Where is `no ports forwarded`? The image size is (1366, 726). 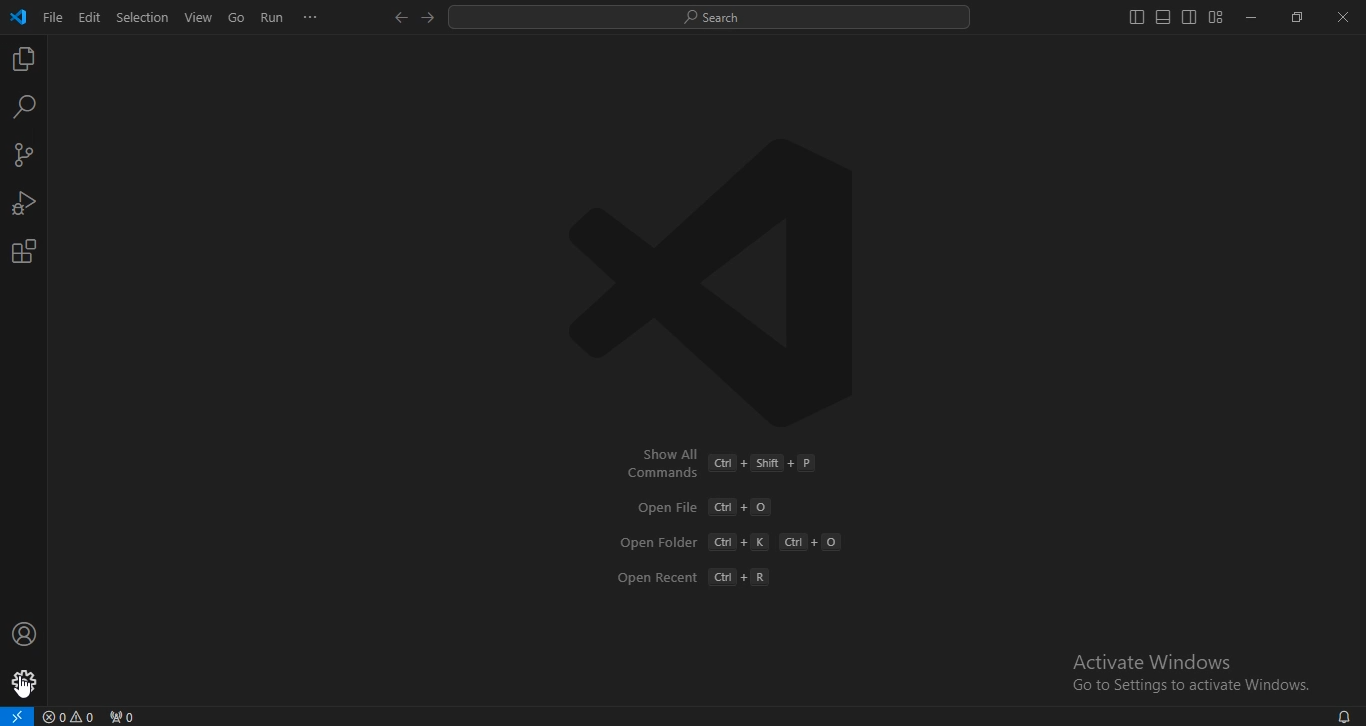 no ports forwarded is located at coordinates (124, 716).